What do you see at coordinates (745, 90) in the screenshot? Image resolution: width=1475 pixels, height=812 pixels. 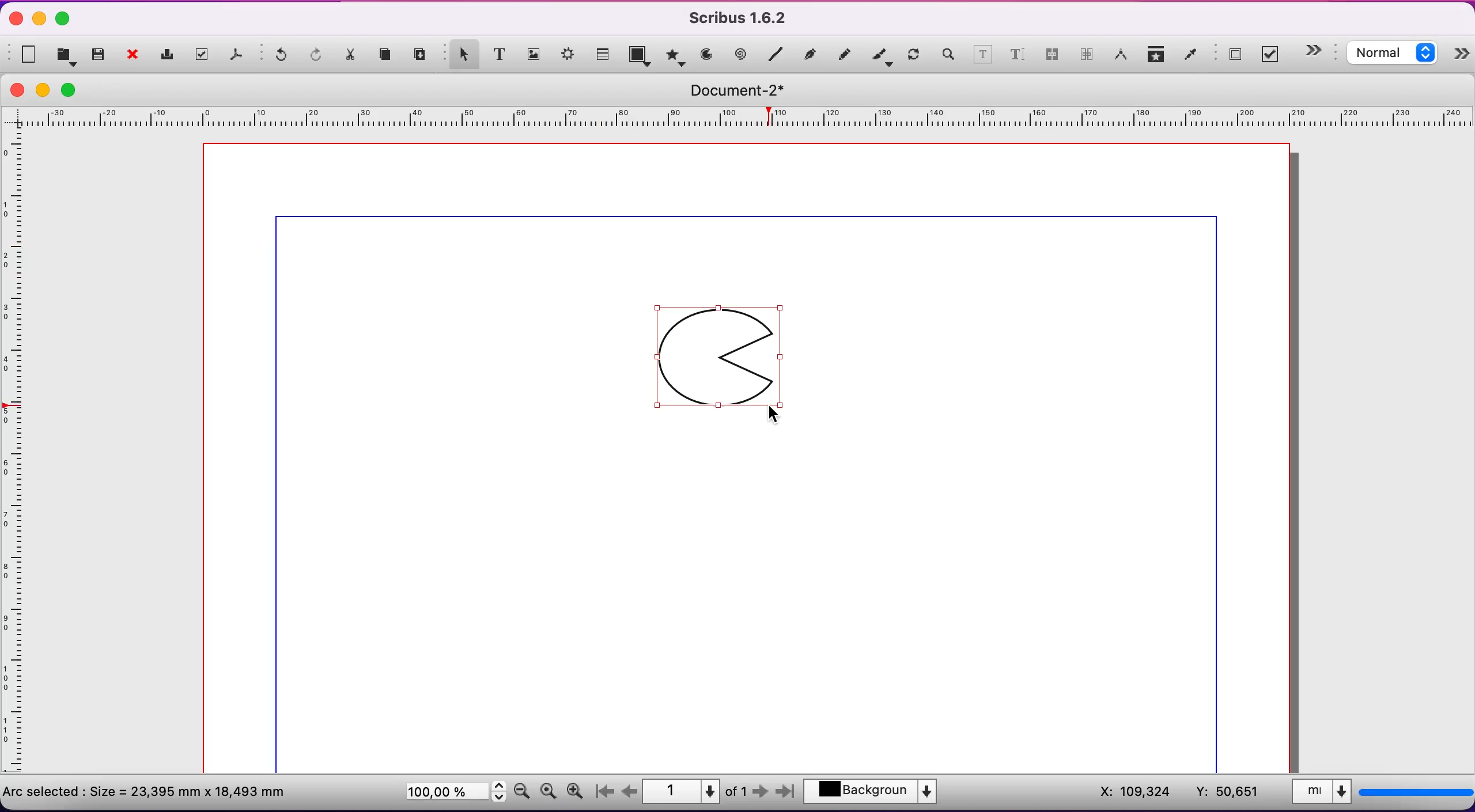 I see `title` at bounding box center [745, 90].